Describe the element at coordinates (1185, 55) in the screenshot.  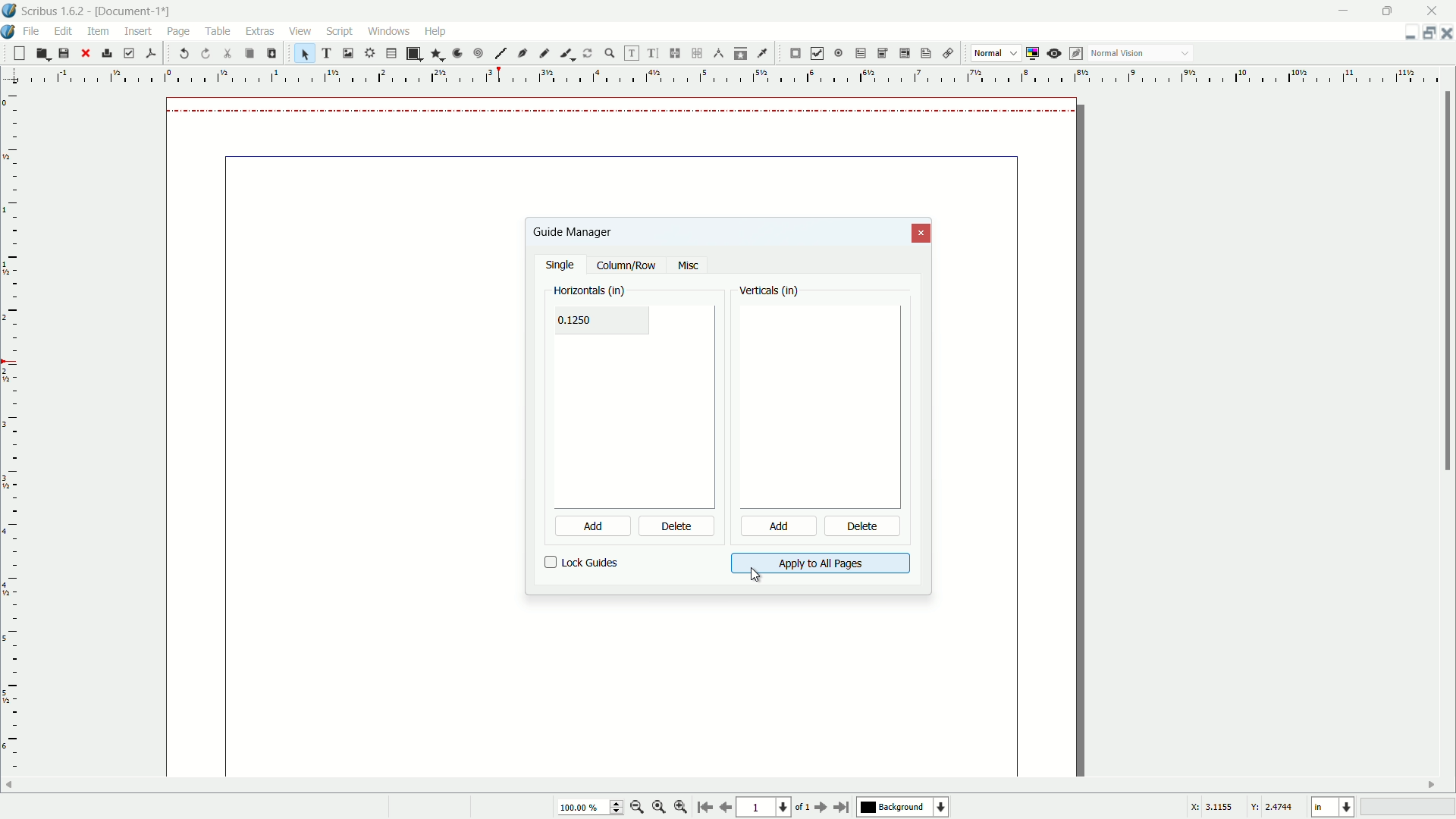
I see `dropdown` at that location.